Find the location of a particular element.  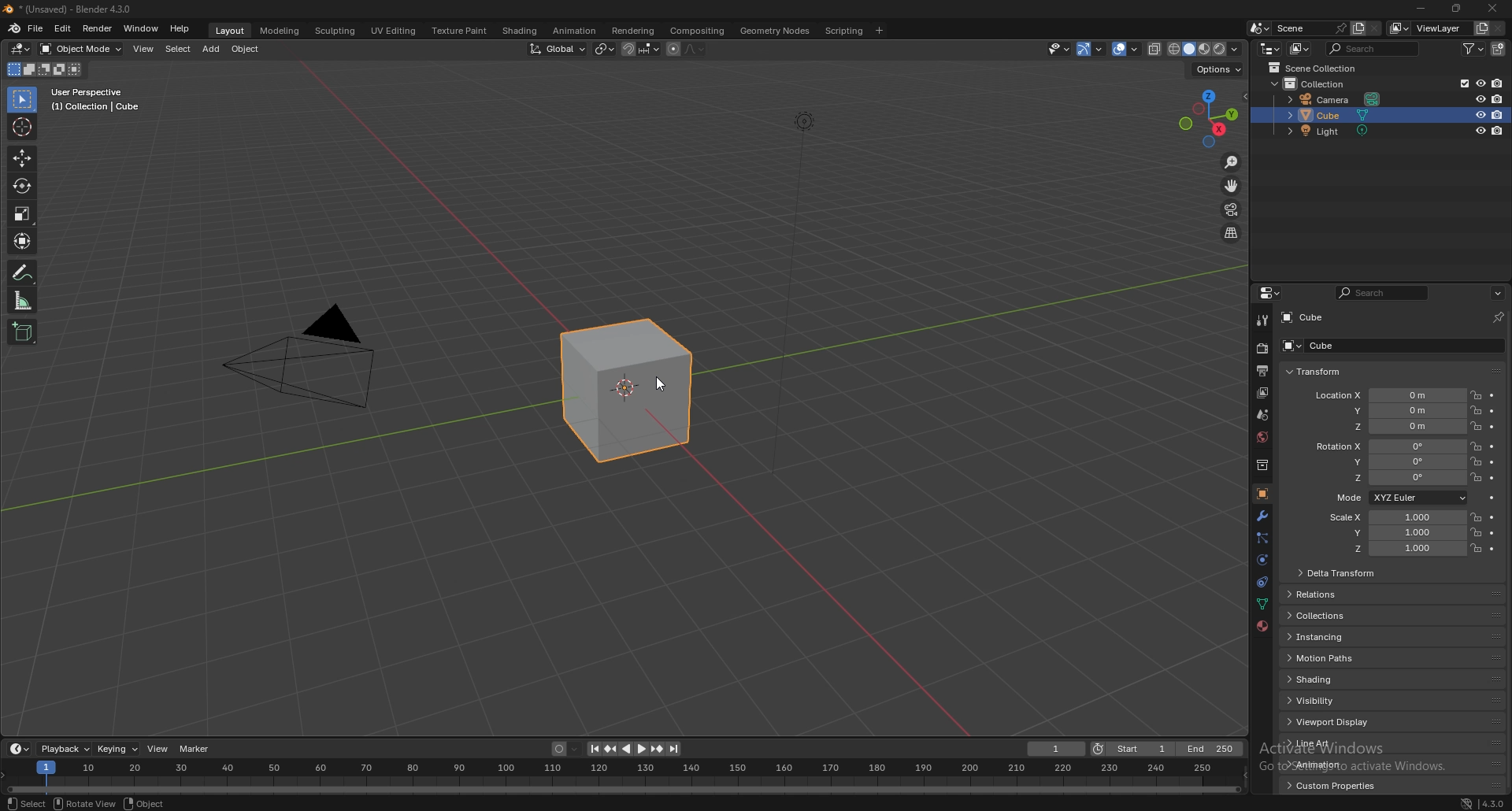

title is located at coordinates (71, 9).